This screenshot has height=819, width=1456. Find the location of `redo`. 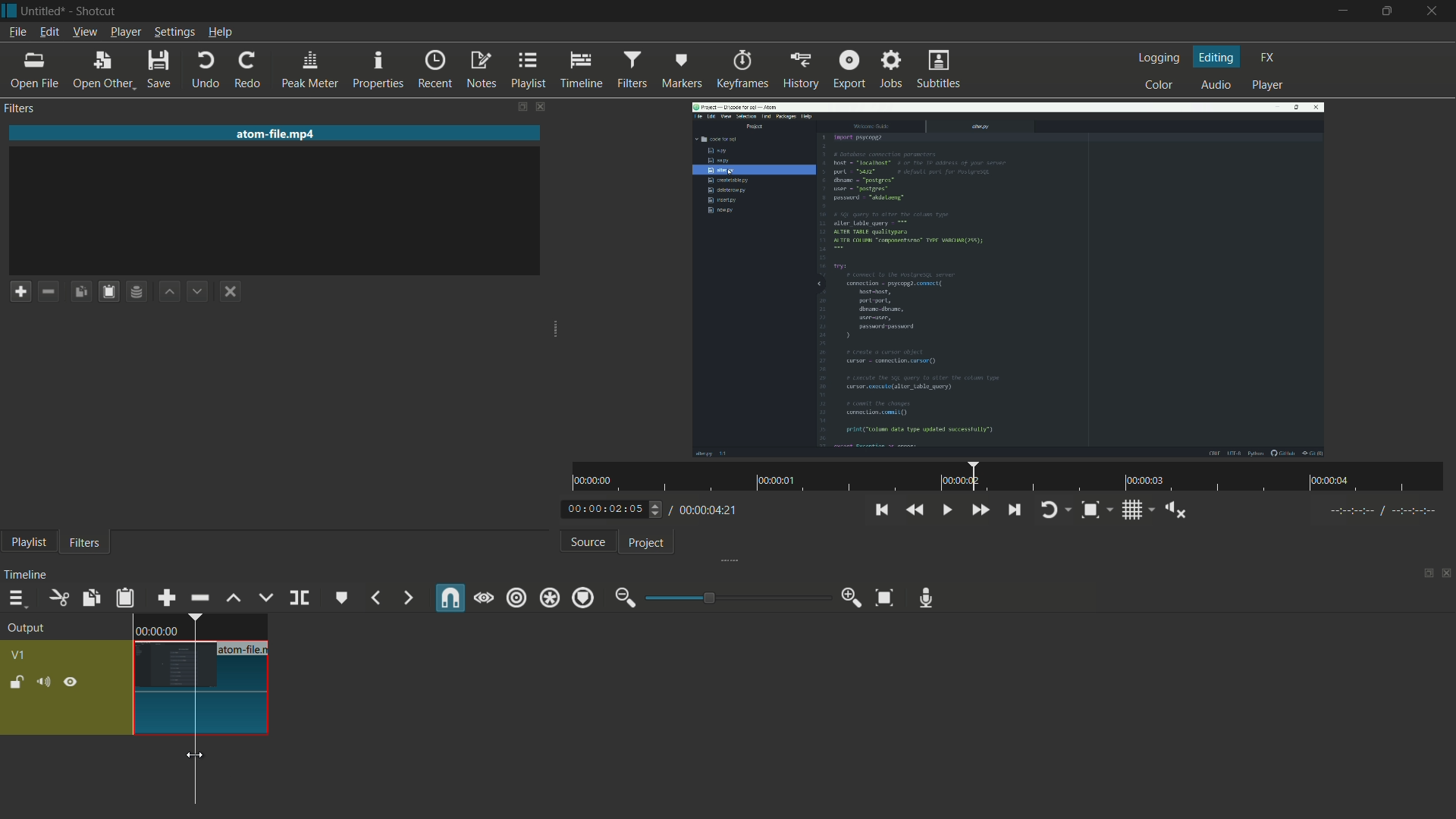

redo is located at coordinates (248, 71).